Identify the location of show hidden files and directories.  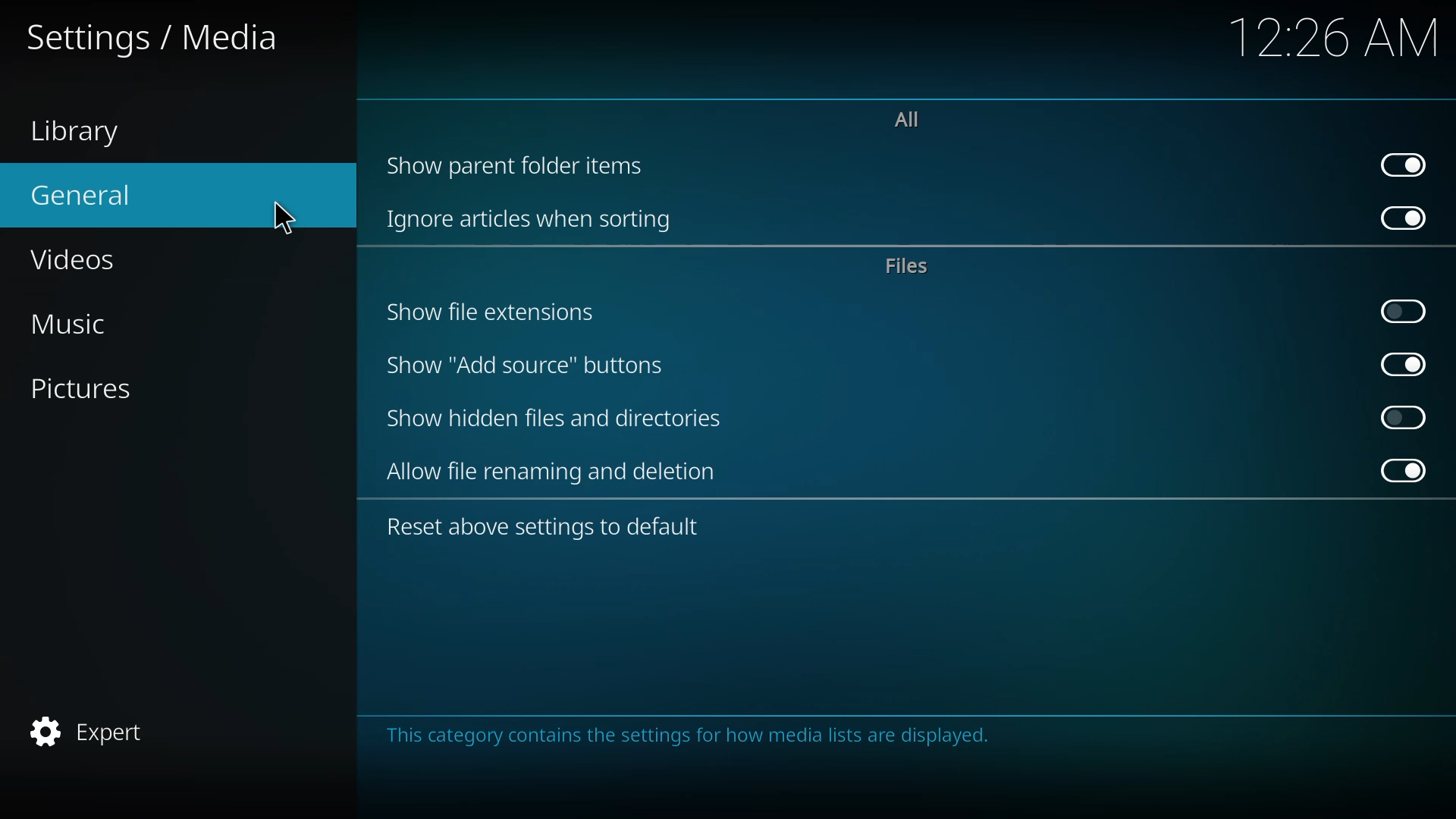
(561, 419).